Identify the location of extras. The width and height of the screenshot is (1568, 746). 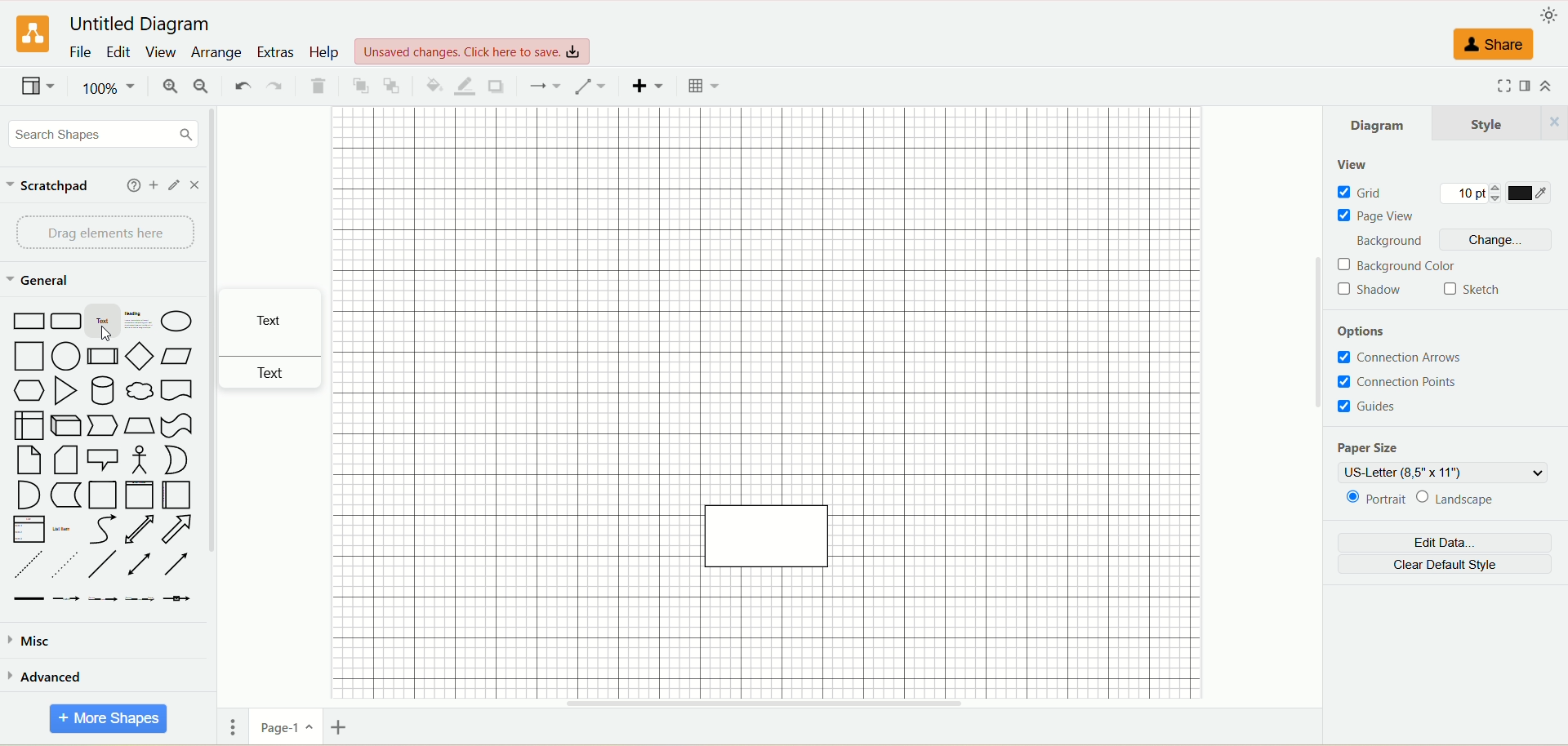
(275, 51).